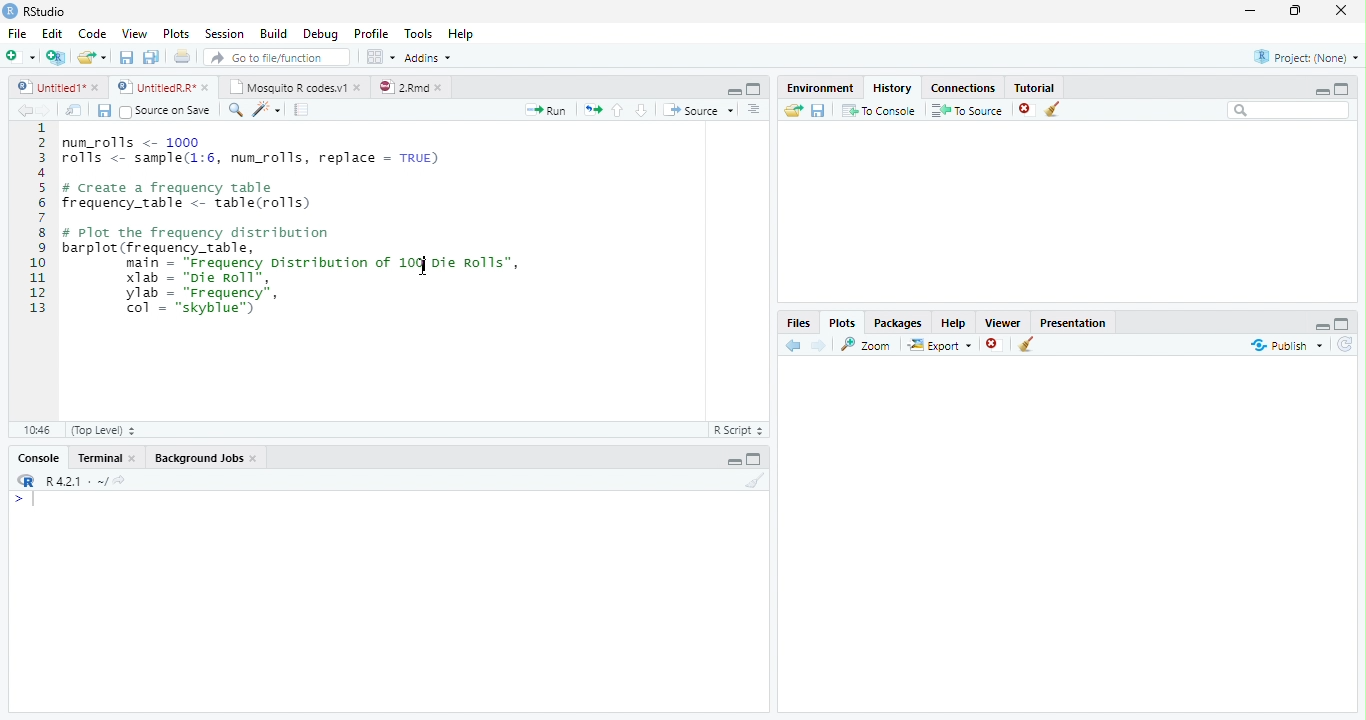 The image size is (1366, 720). Describe the element at coordinates (1305, 55) in the screenshot. I see `Project: (None)` at that location.